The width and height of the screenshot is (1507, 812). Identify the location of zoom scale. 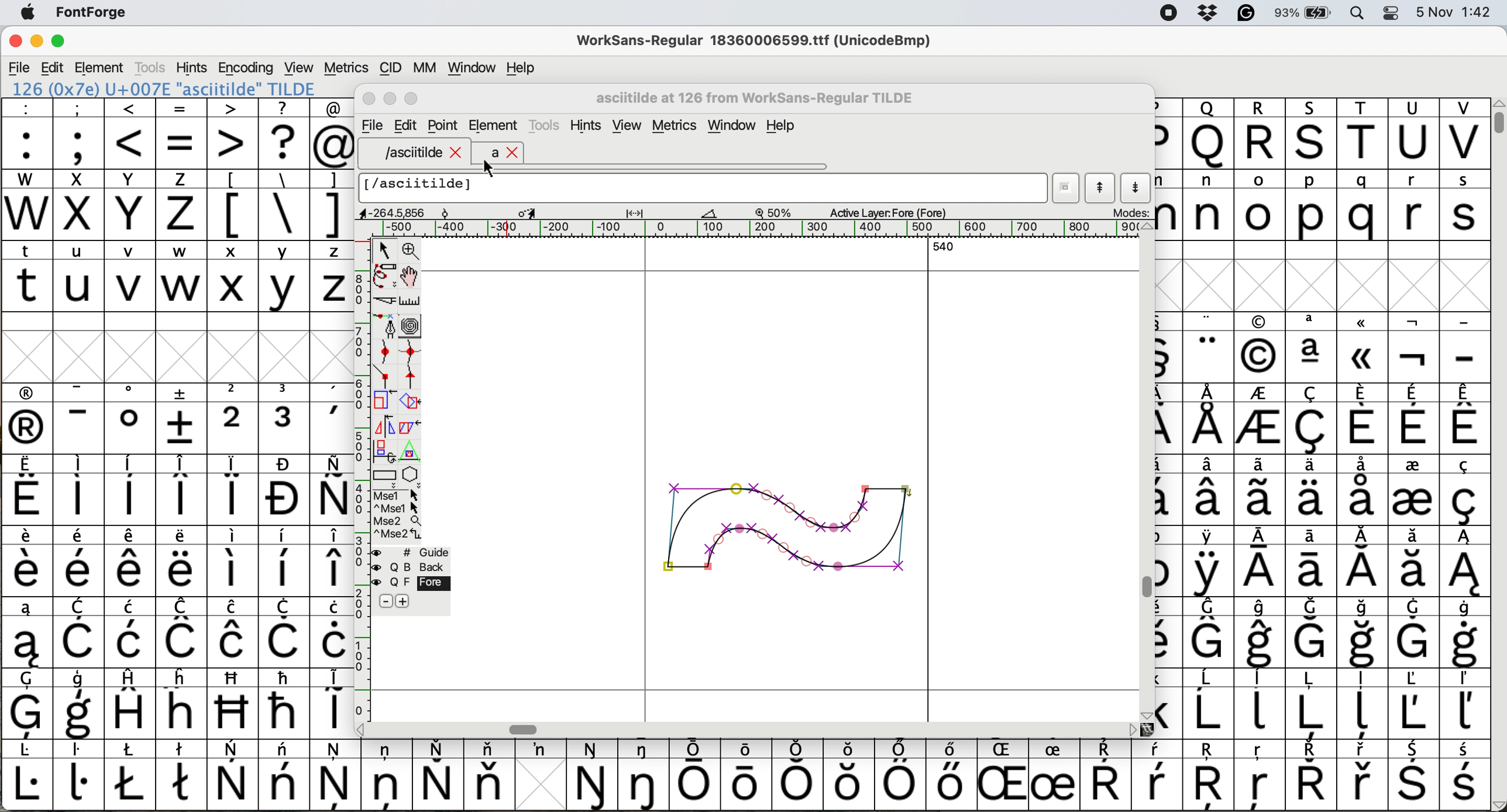
(777, 212).